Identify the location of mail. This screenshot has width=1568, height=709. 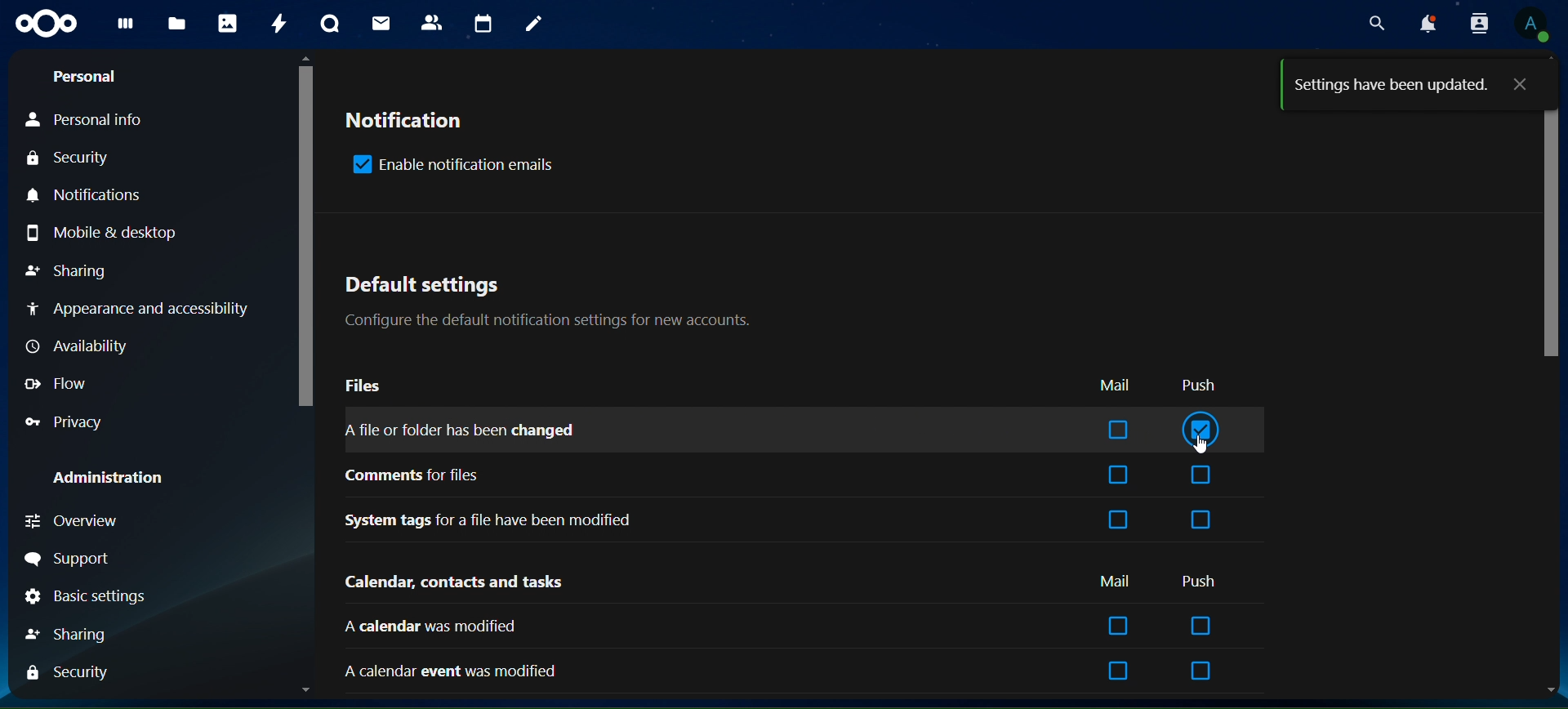
(381, 24).